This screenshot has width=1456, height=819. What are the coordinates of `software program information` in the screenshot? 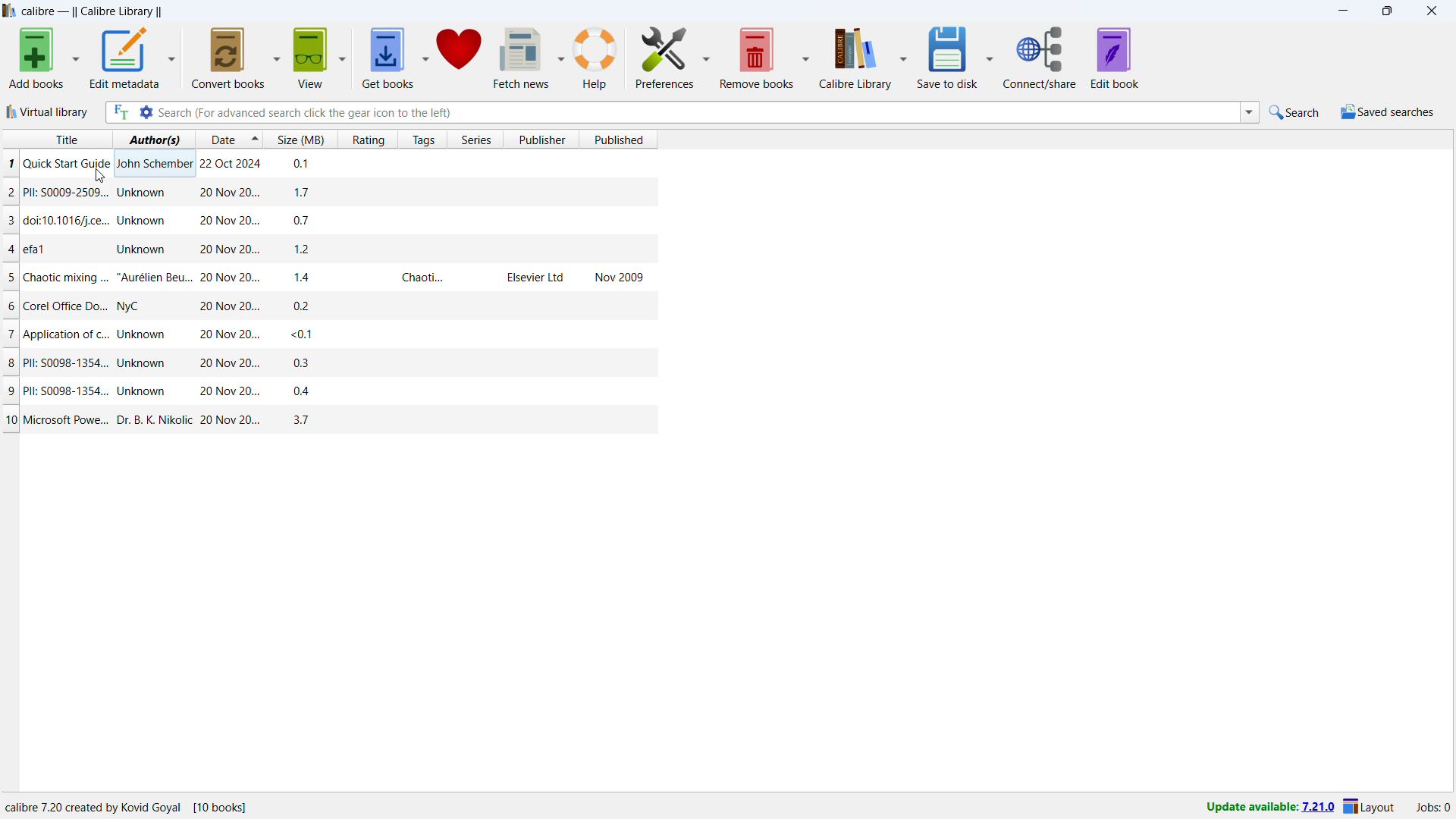 It's located at (130, 807).